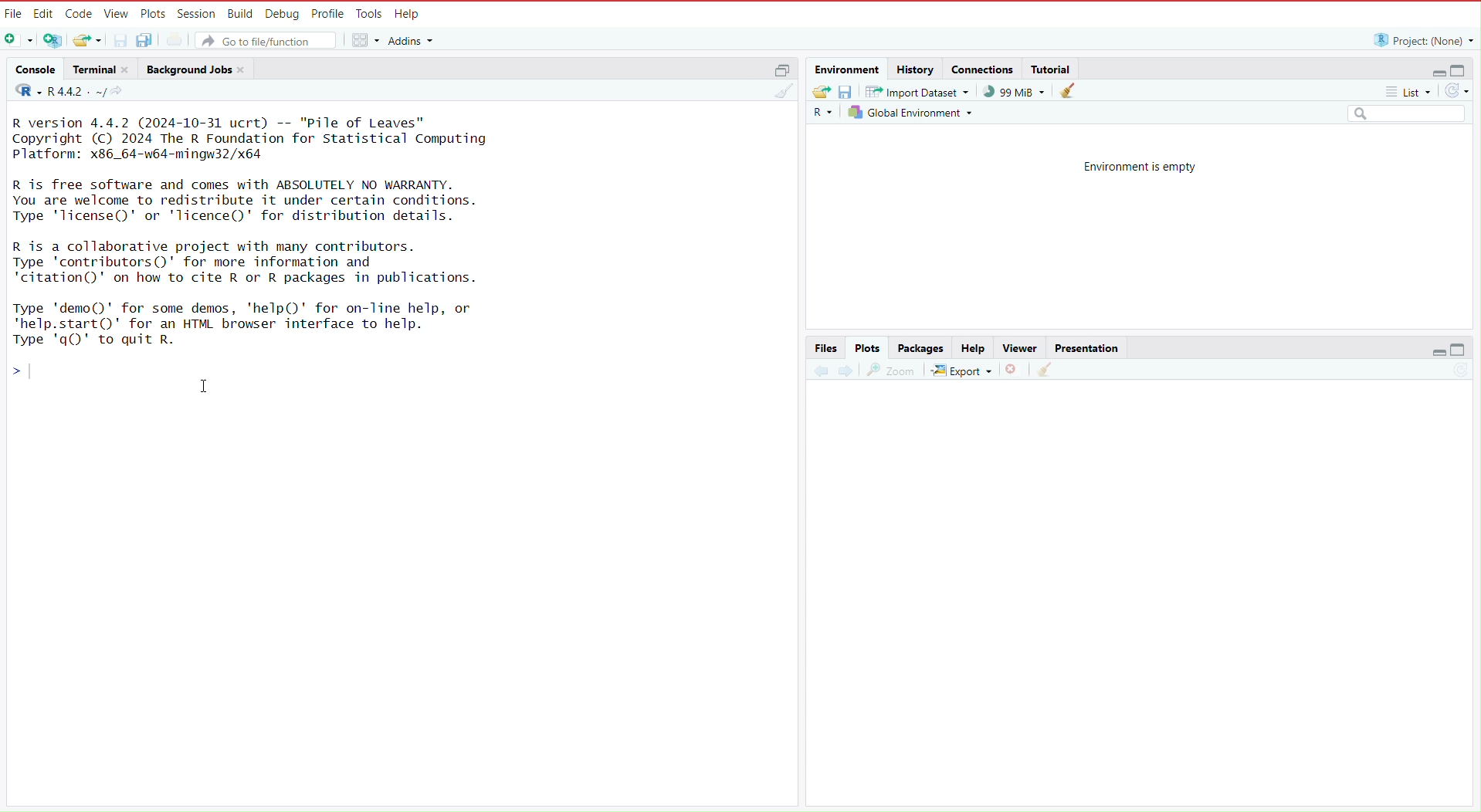 The height and width of the screenshot is (812, 1481). Describe the element at coordinates (913, 116) in the screenshot. I see `global environment` at that location.